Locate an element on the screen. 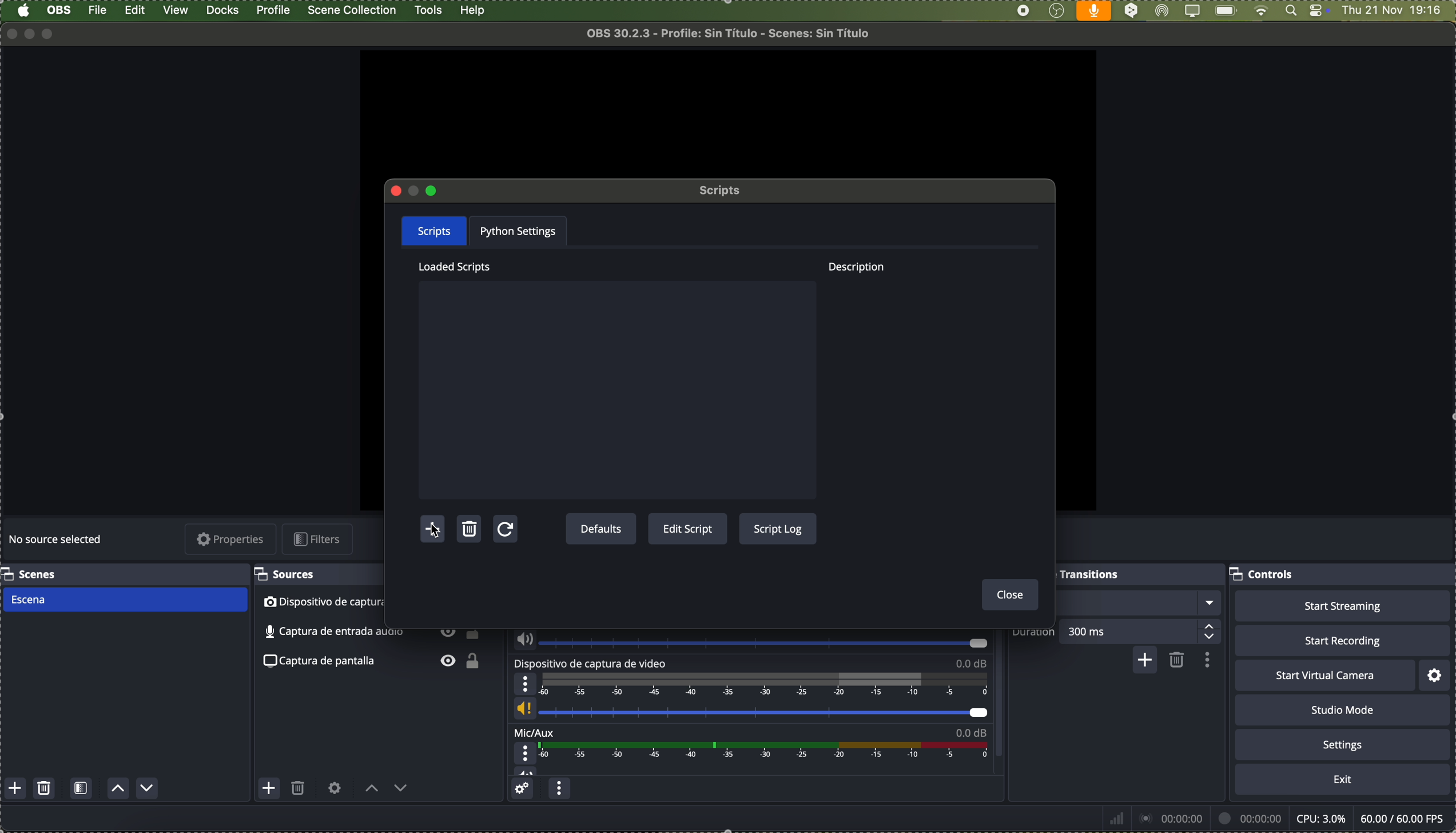 The image size is (1456, 833). add configurable transition is located at coordinates (1143, 661).